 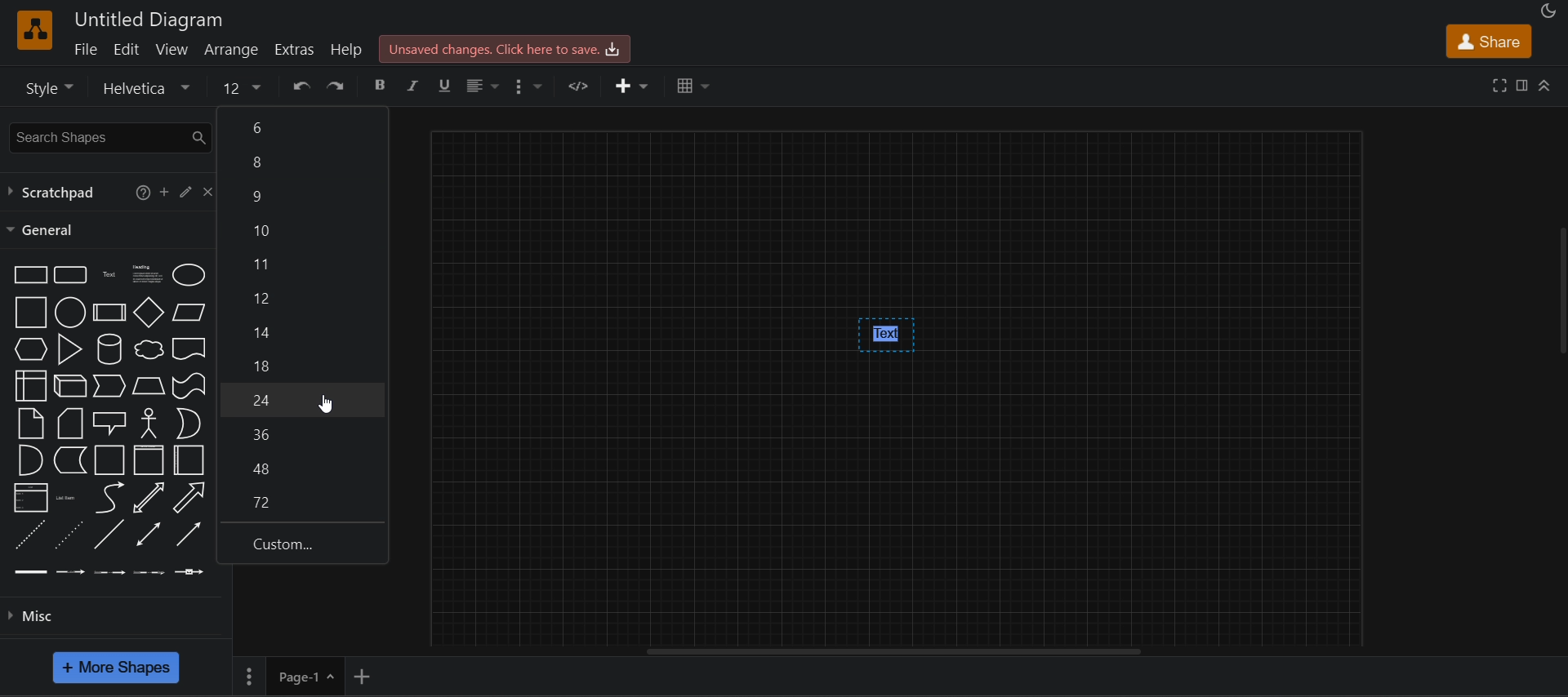 I want to click on Page-1, so click(x=292, y=676).